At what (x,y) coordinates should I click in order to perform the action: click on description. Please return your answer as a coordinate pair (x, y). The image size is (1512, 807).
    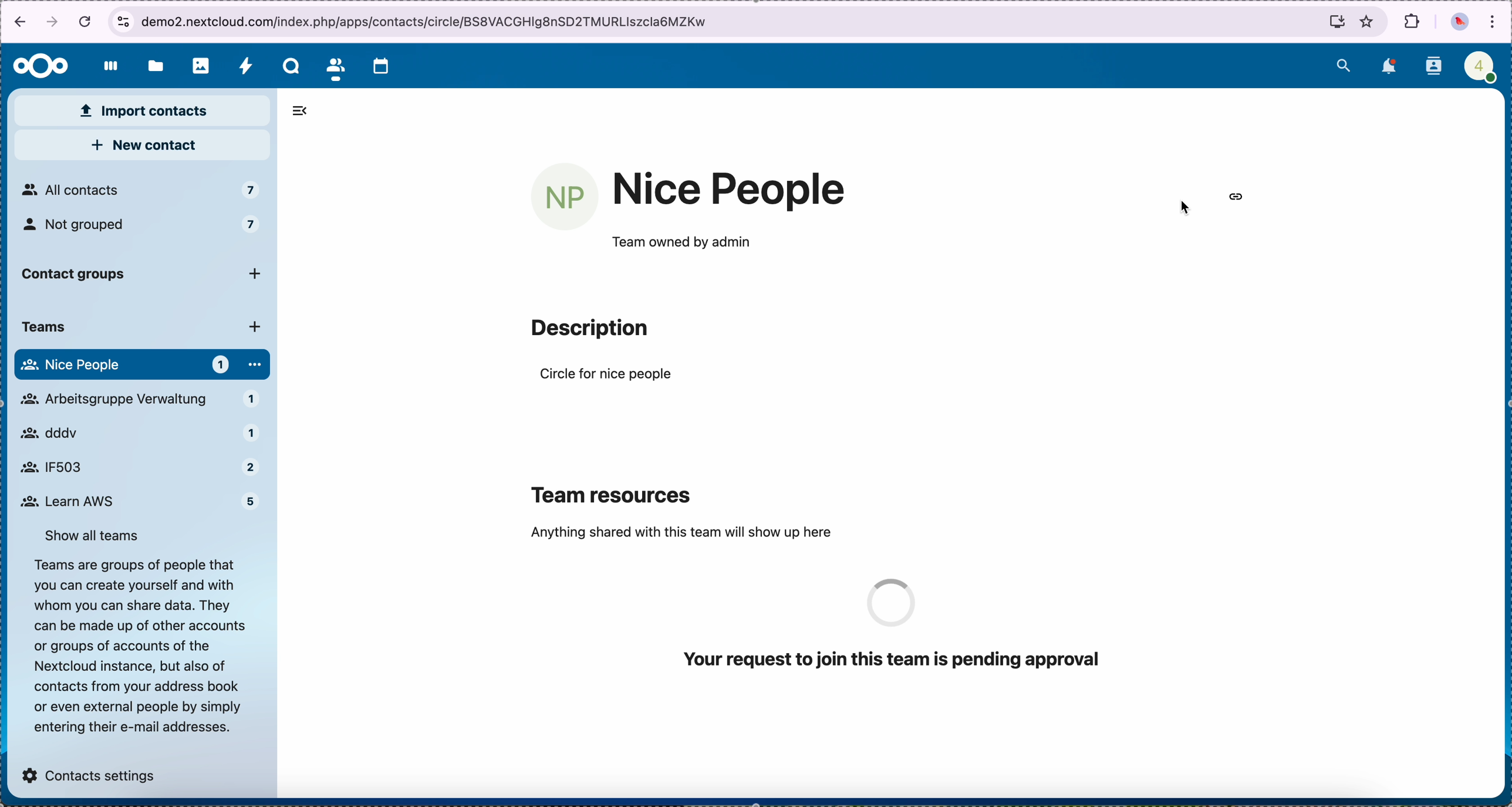
    Looking at the image, I should click on (589, 329).